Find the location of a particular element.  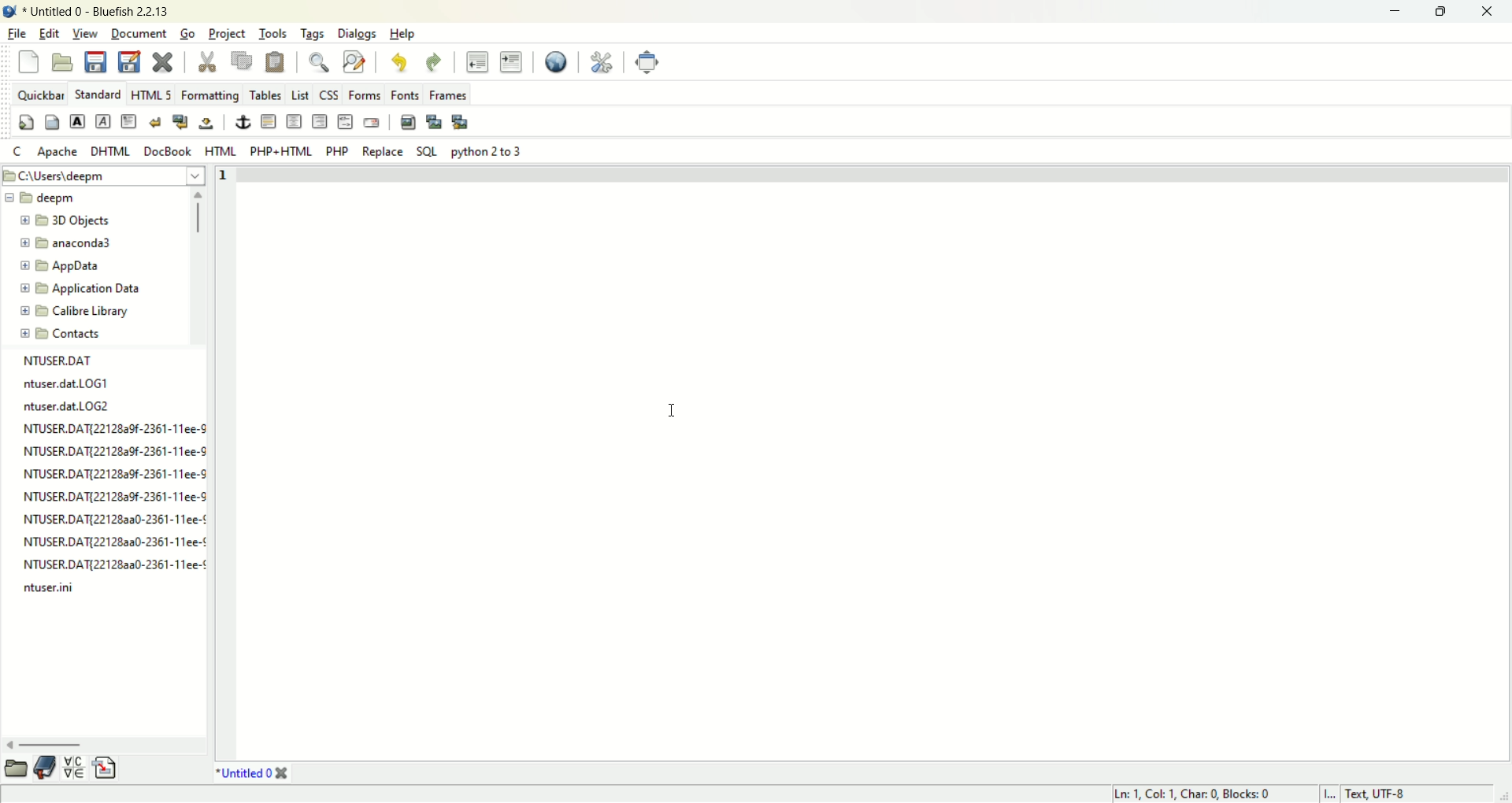

emphasis is located at coordinates (104, 122).